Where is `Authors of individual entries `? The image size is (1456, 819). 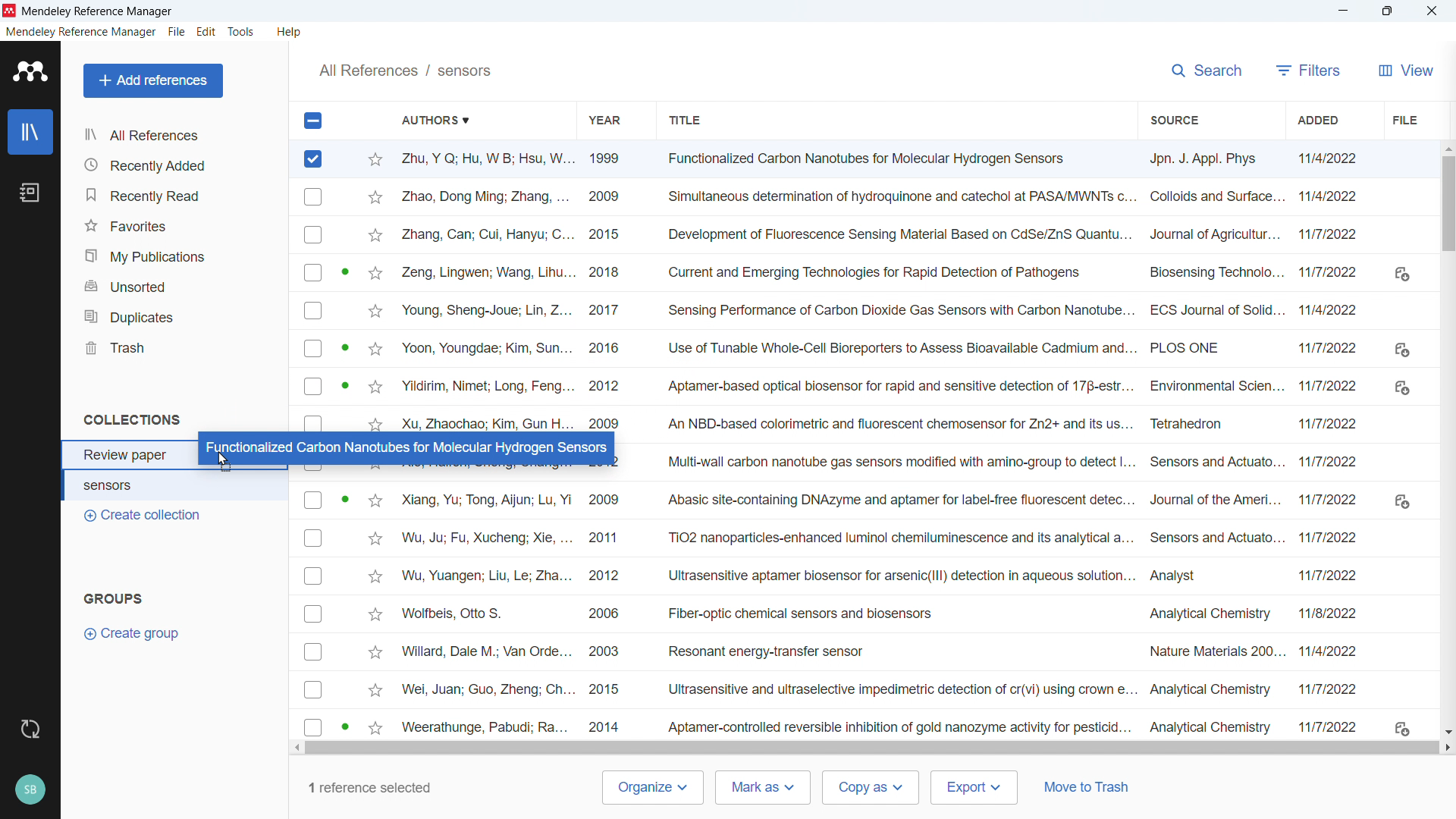
Authors of individual entries  is located at coordinates (485, 287).